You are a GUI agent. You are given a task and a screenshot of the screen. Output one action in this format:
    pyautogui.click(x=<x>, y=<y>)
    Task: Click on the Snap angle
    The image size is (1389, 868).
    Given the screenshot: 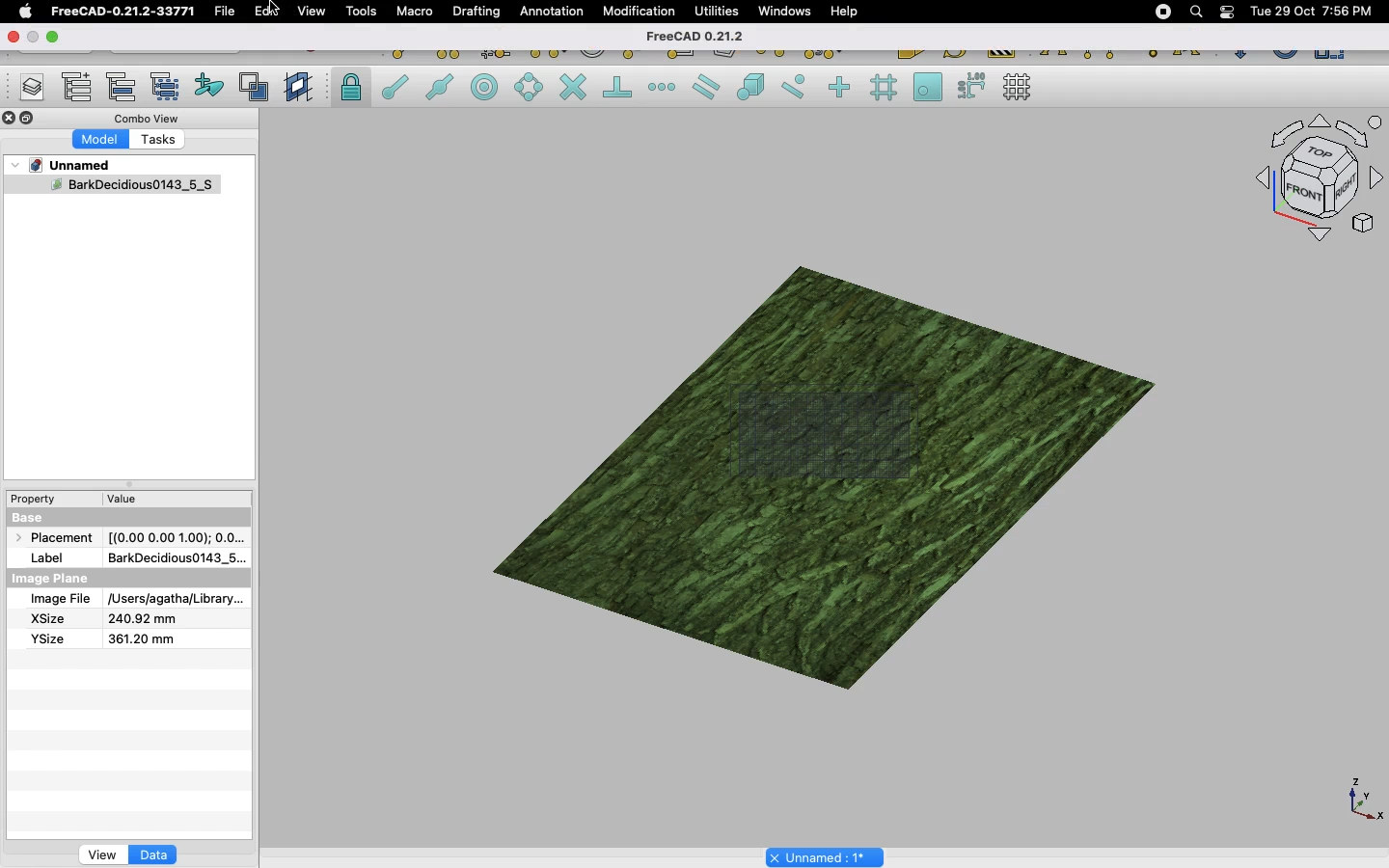 What is the action you would take?
    pyautogui.click(x=530, y=89)
    